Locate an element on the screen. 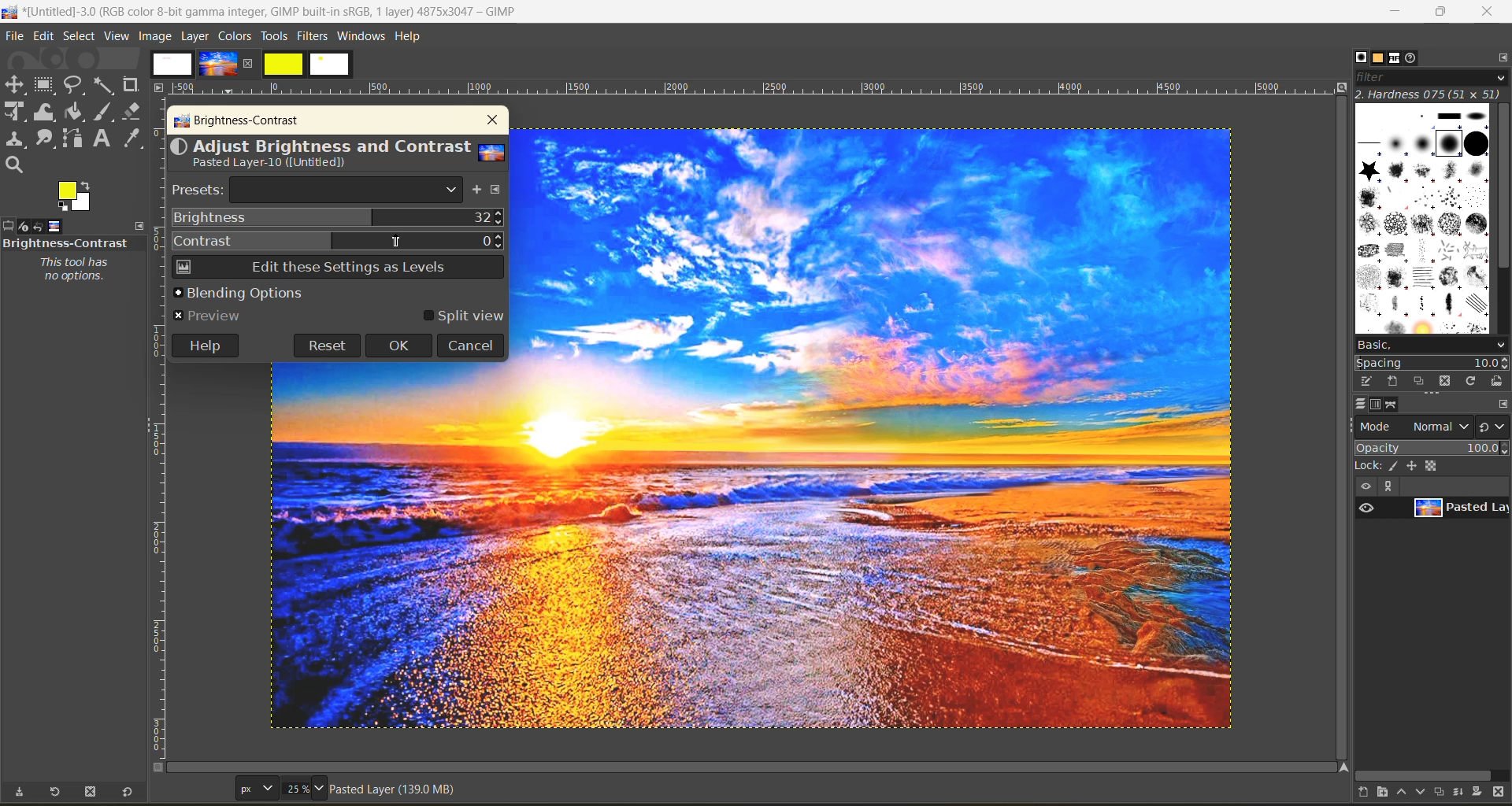 The width and height of the screenshot is (1512, 806). open brush as image is located at coordinates (1499, 382).